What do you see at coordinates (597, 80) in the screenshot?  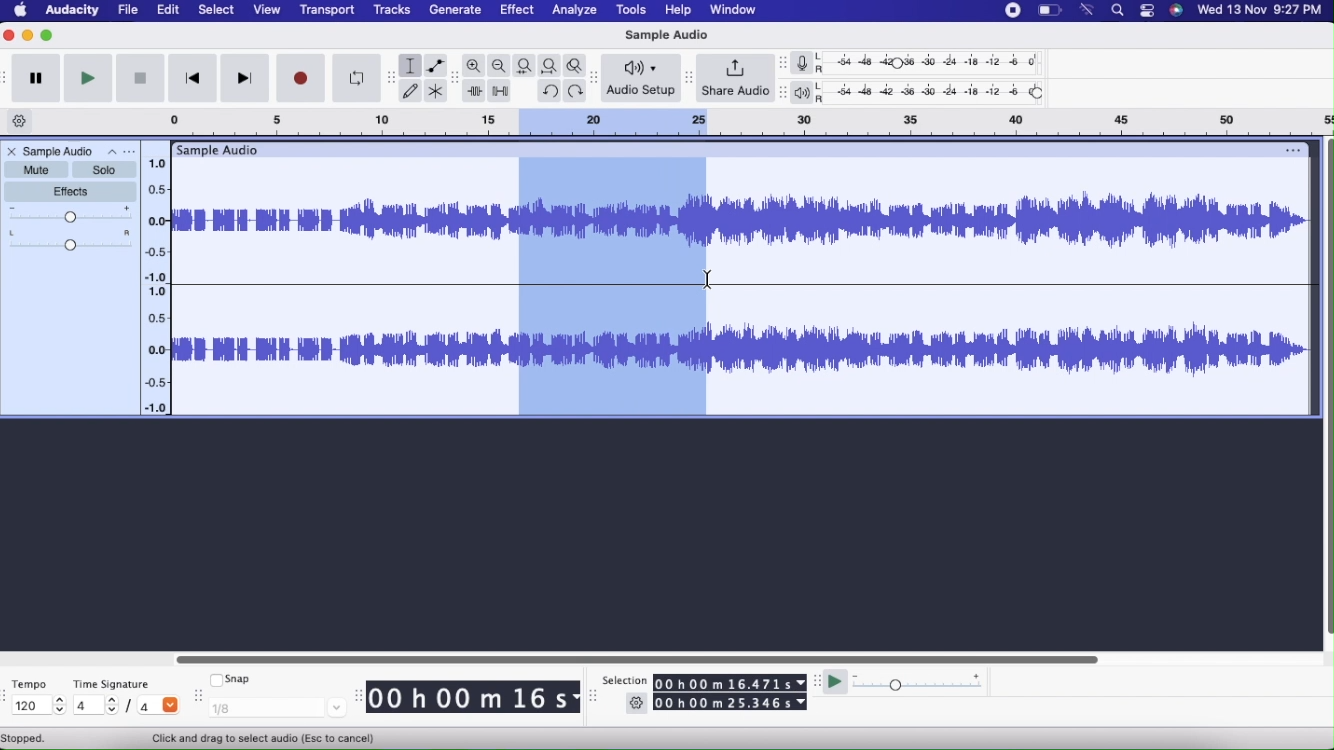 I see `move toolbar` at bounding box center [597, 80].